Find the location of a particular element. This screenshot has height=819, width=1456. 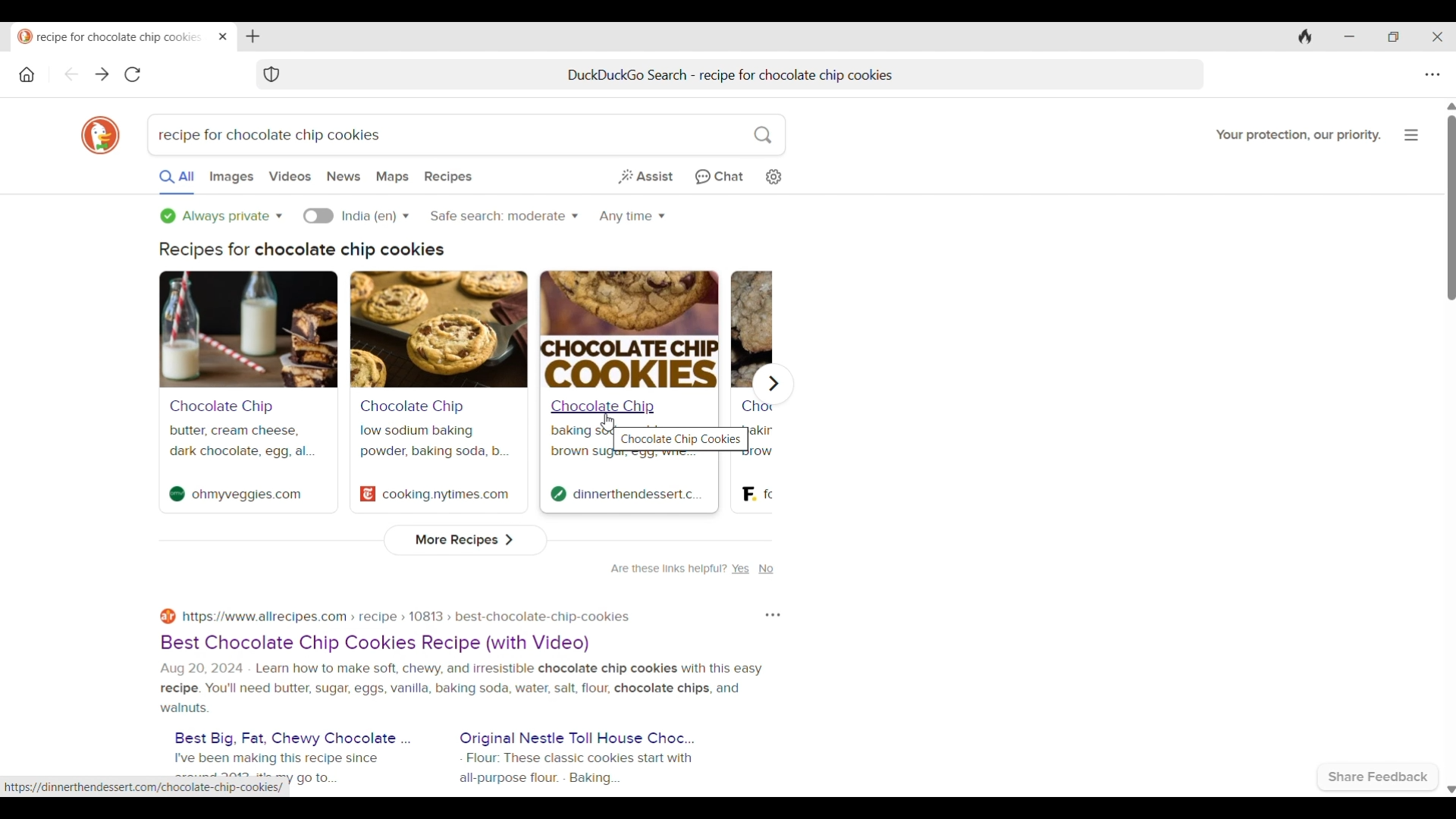

Search images is located at coordinates (231, 177).